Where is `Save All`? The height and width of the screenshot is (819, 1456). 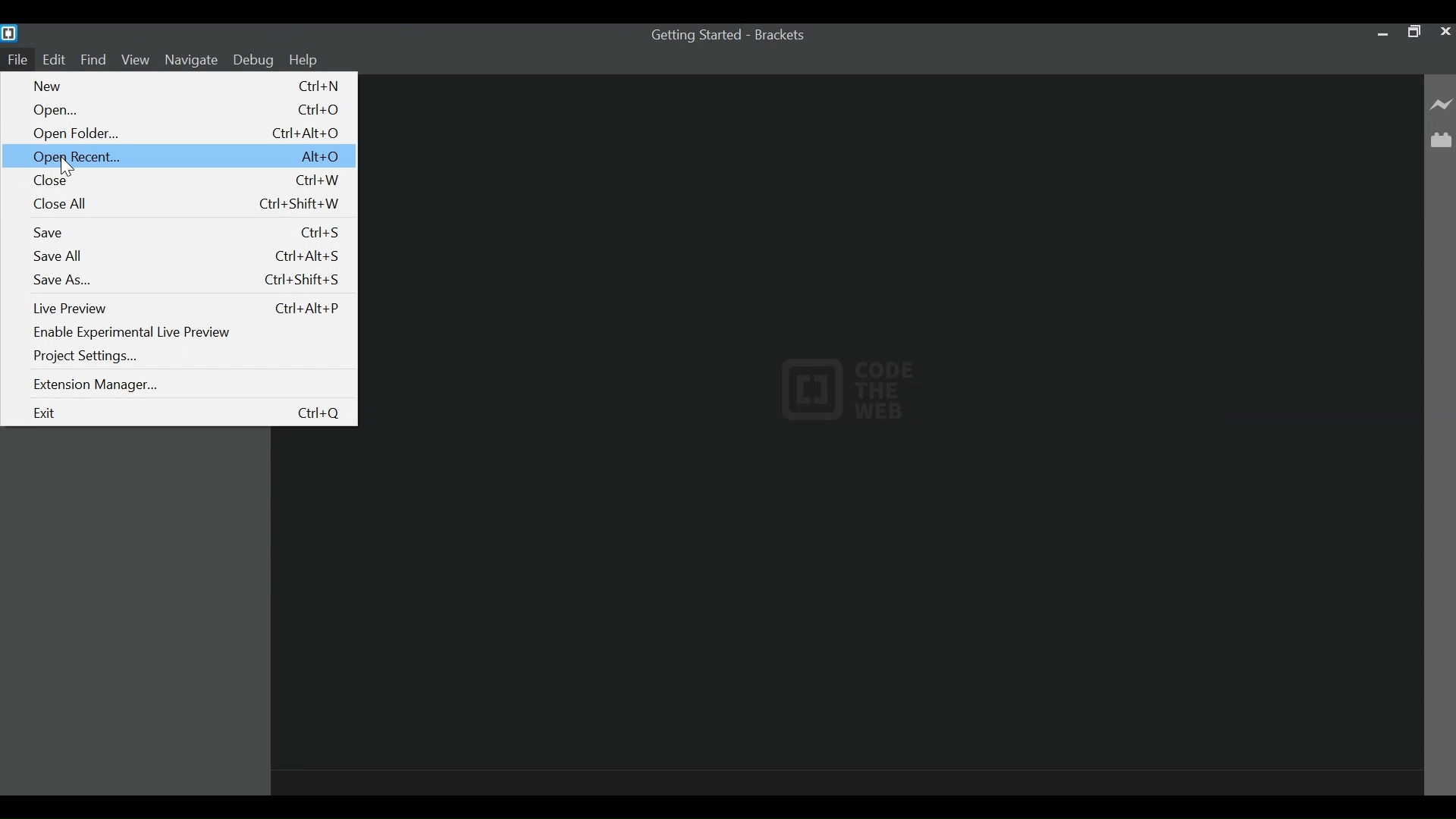
Save All is located at coordinates (184, 256).